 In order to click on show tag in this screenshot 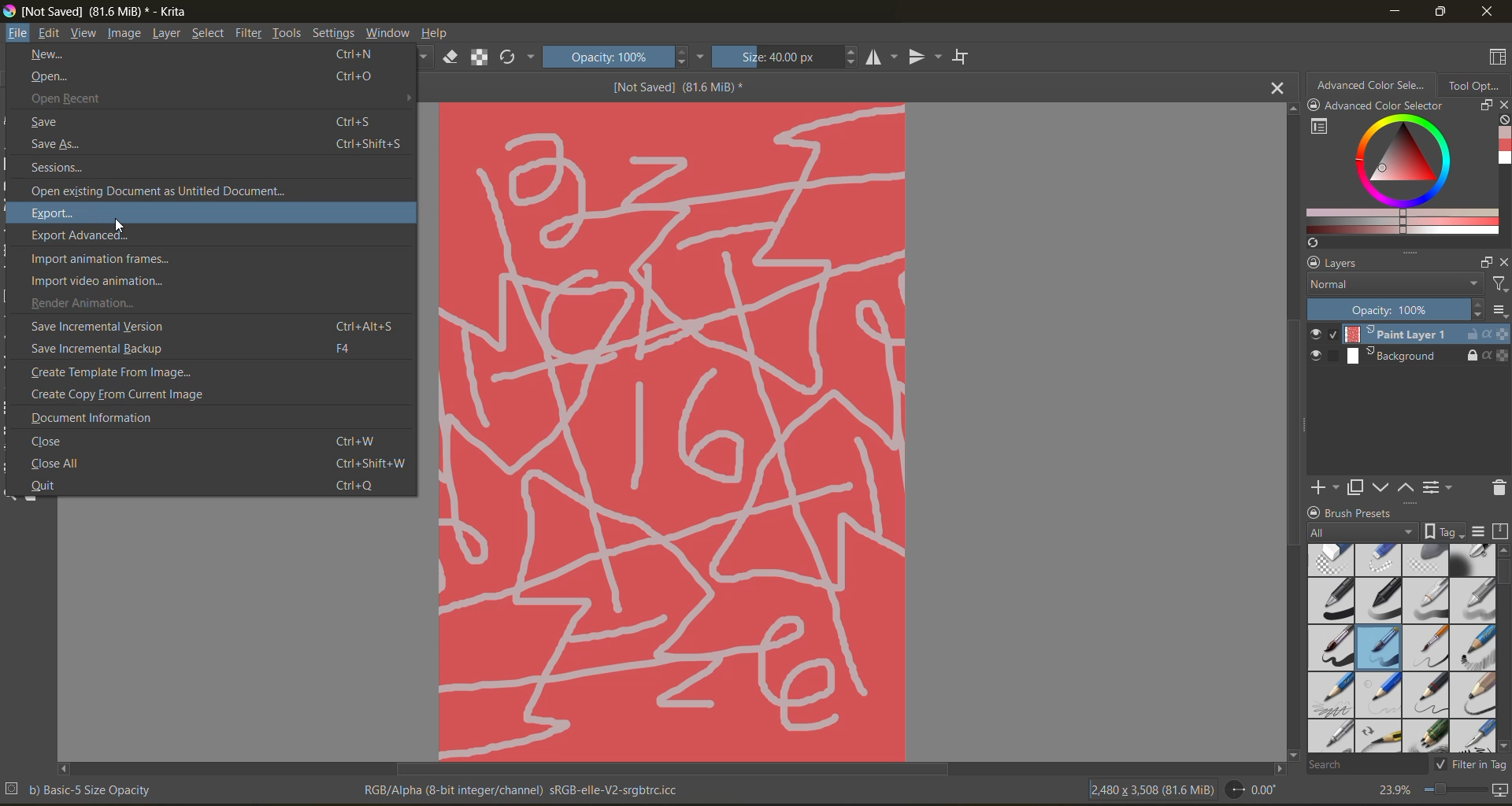, I will do `click(1442, 531)`.